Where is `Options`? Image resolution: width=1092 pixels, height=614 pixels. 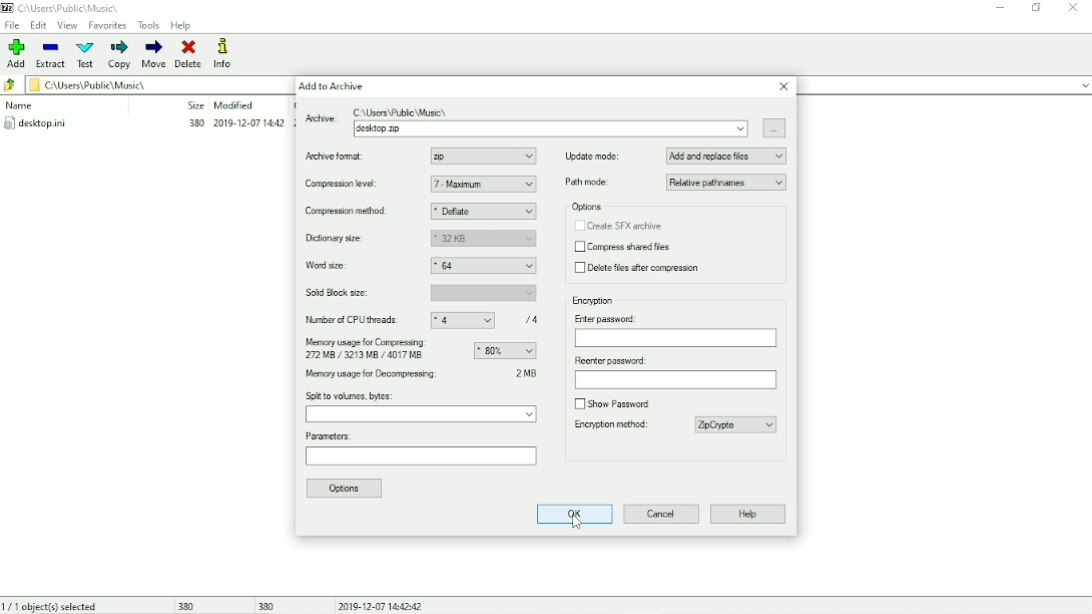 Options is located at coordinates (586, 207).